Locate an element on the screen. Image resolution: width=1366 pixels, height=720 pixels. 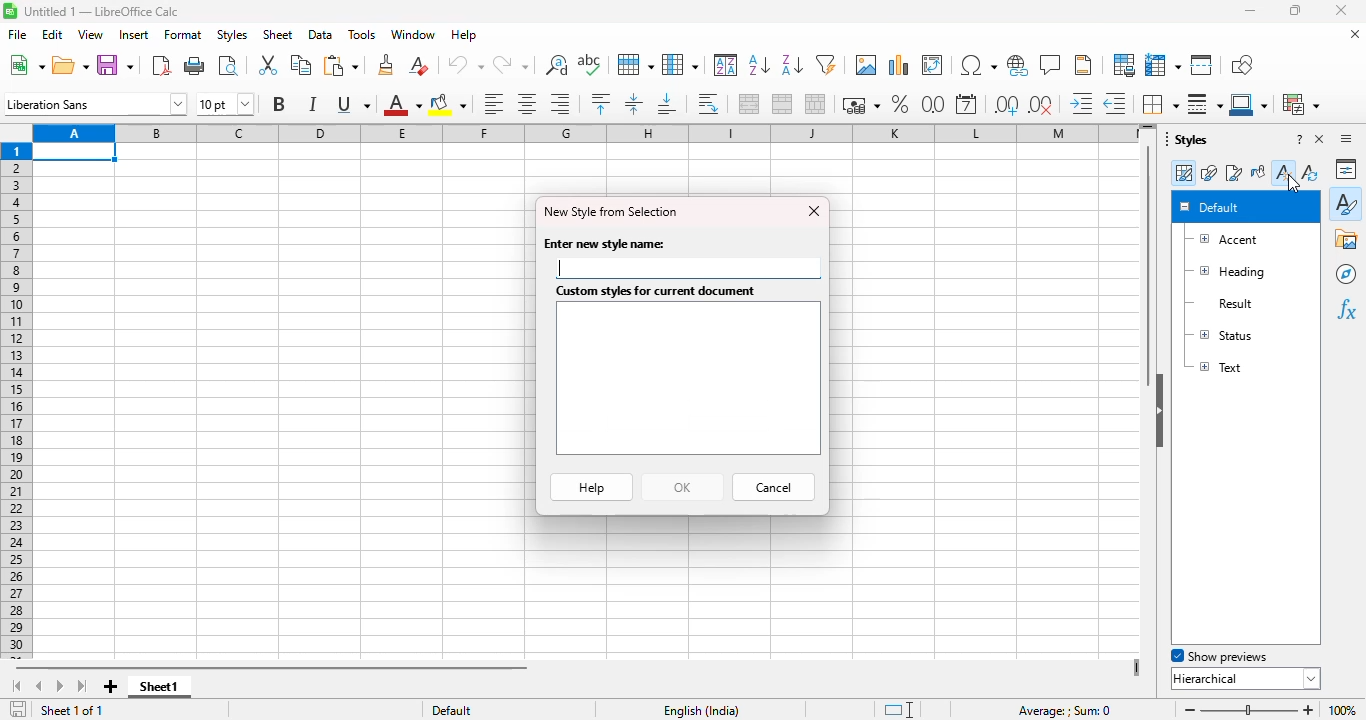
delete decimal is located at coordinates (1115, 103).